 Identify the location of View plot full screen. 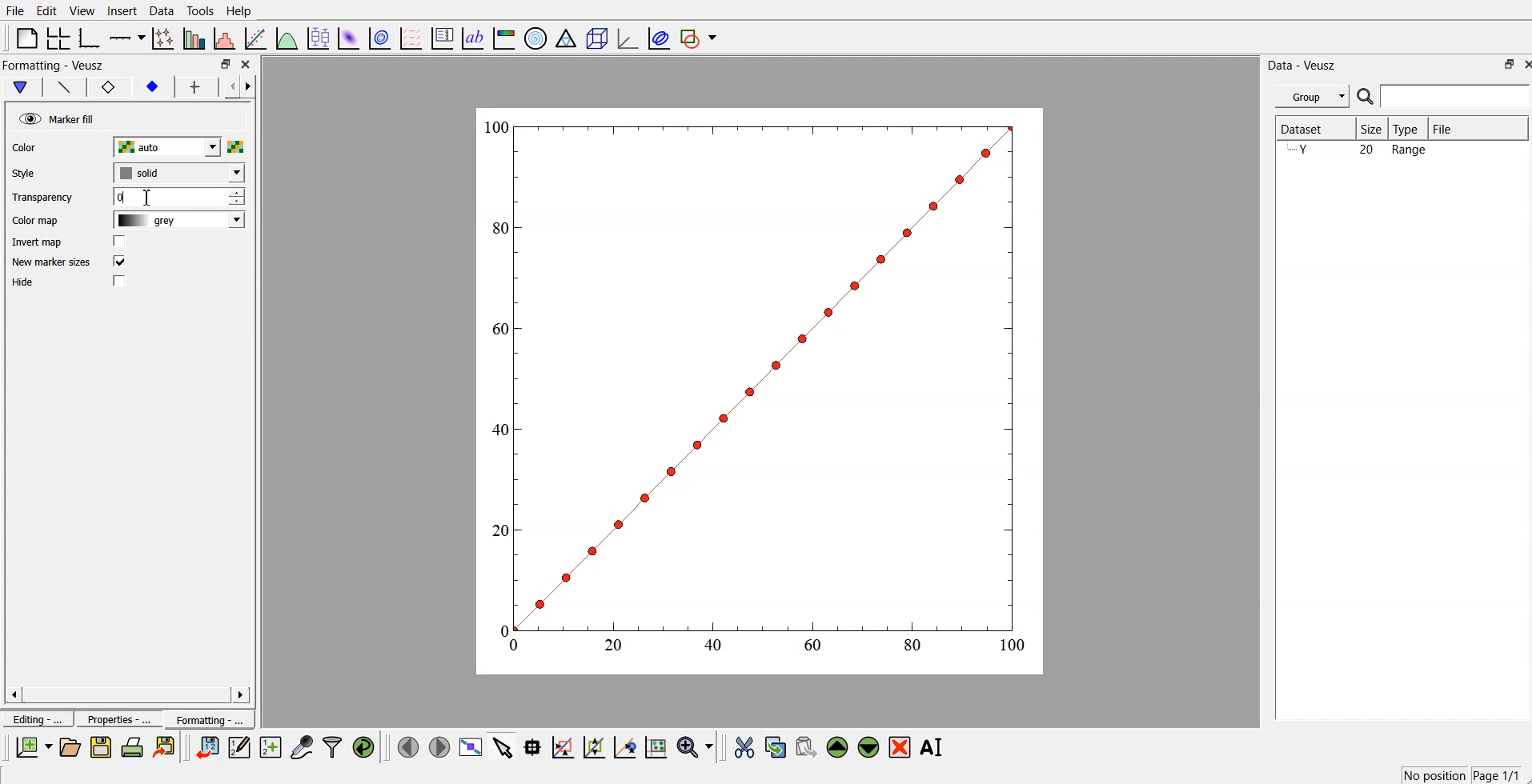
(471, 746).